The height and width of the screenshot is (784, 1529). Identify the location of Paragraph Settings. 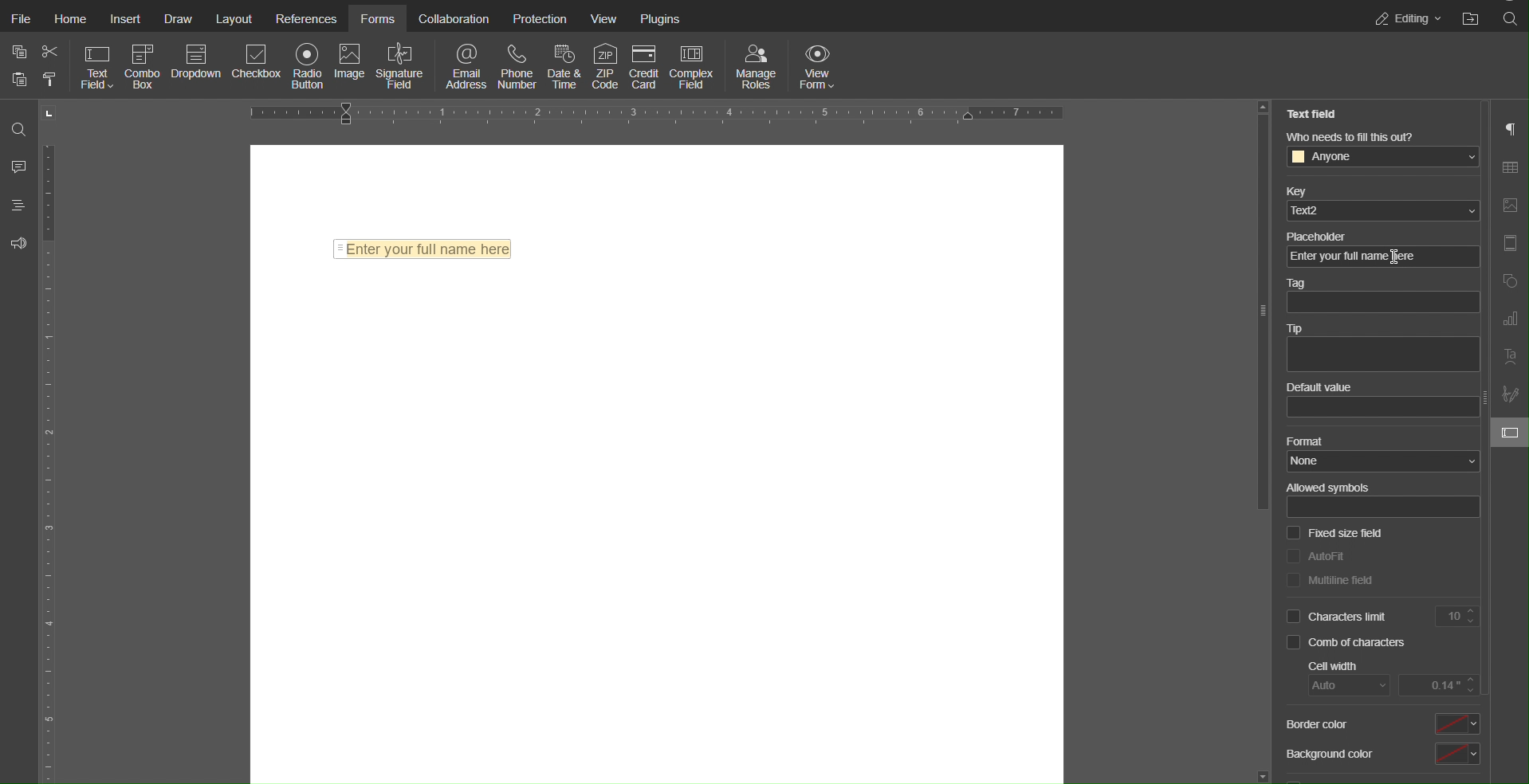
(1509, 129).